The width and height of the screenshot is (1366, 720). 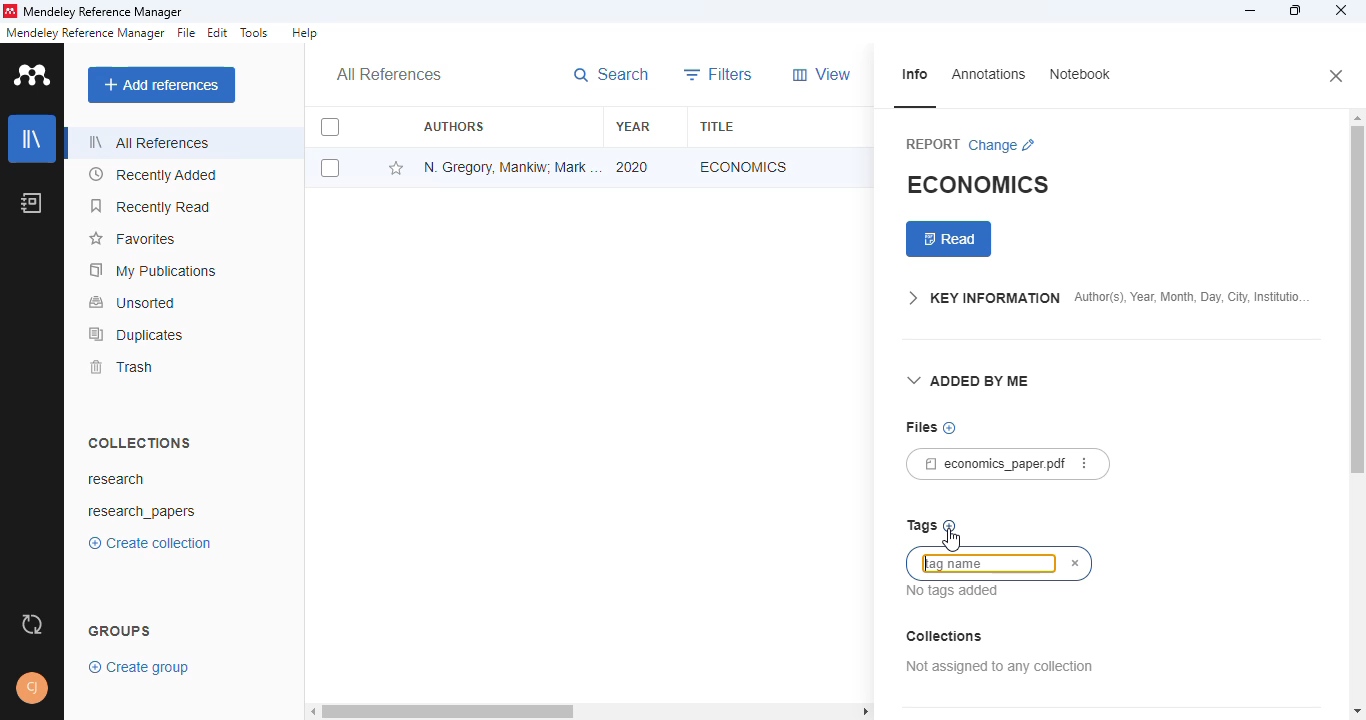 I want to click on notebook, so click(x=1081, y=74).